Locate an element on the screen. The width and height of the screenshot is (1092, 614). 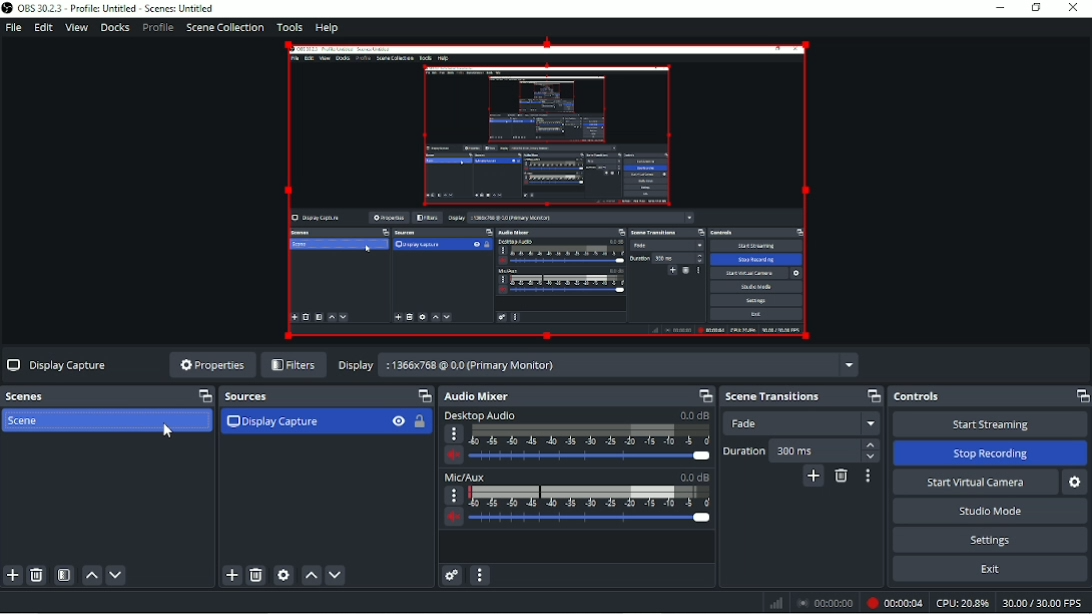
Display capture is located at coordinates (273, 423).